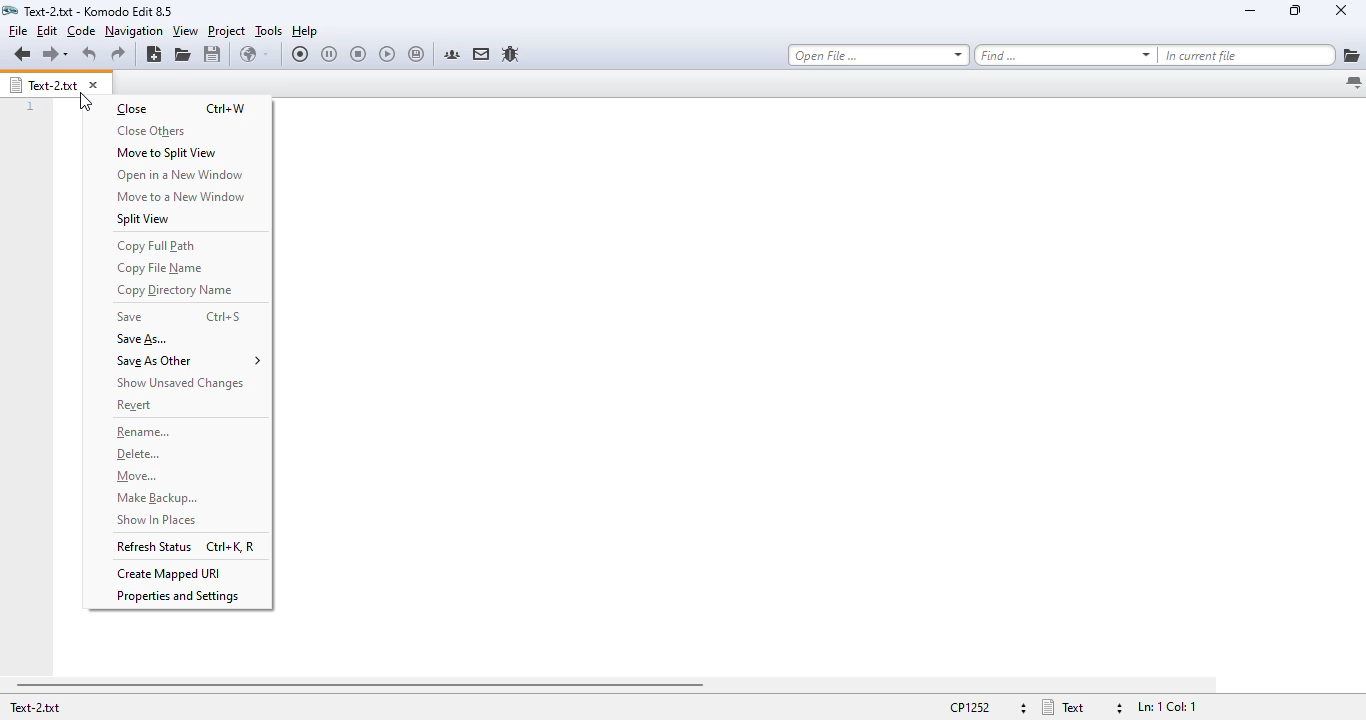  Describe the element at coordinates (143, 219) in the screenshot. I see `split view` at that location.